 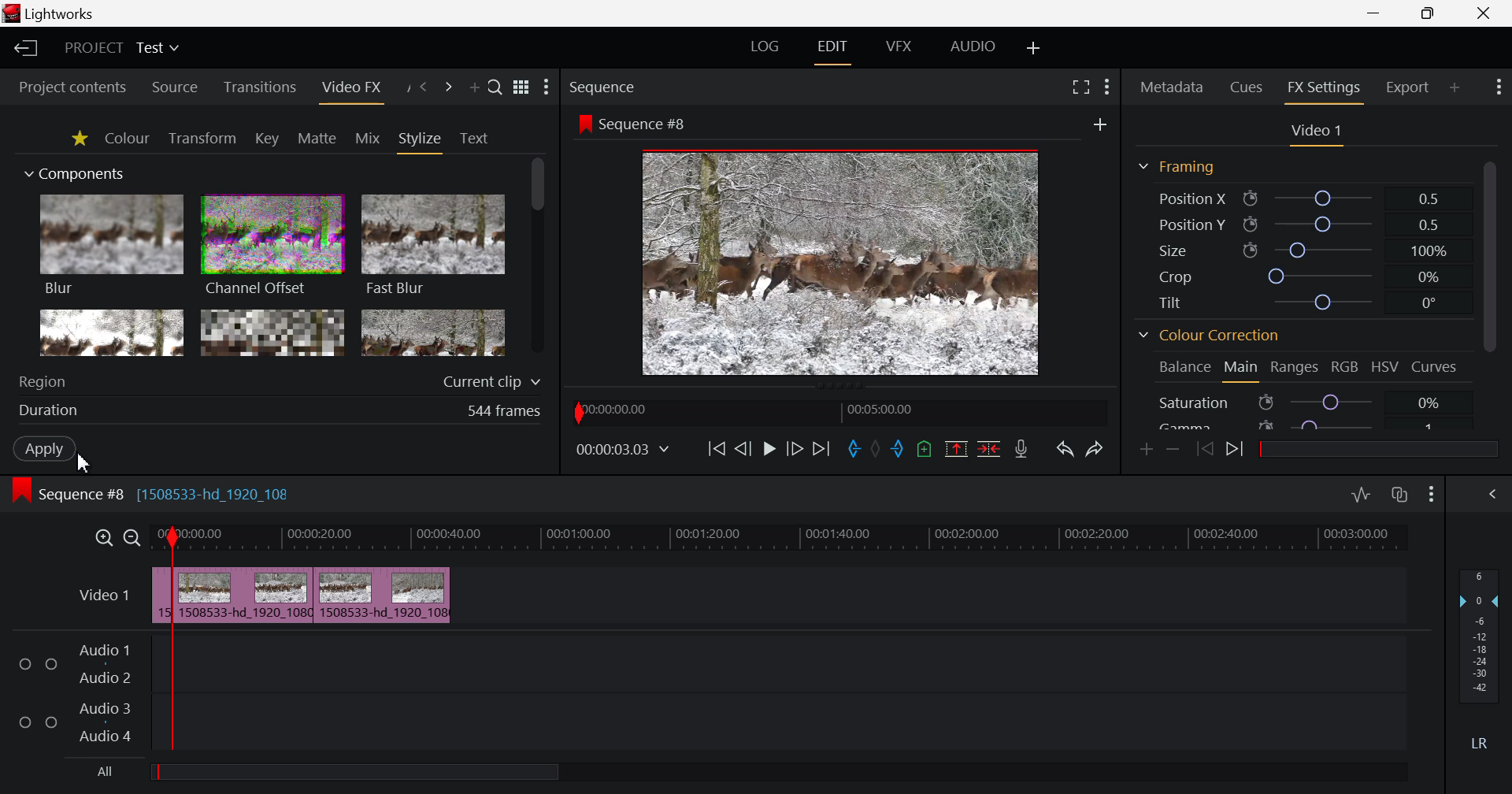 What do you see at coordinates (1147, 451) in the screenshot?
I see `Add keyframe` at bounding box center [1147, 451].